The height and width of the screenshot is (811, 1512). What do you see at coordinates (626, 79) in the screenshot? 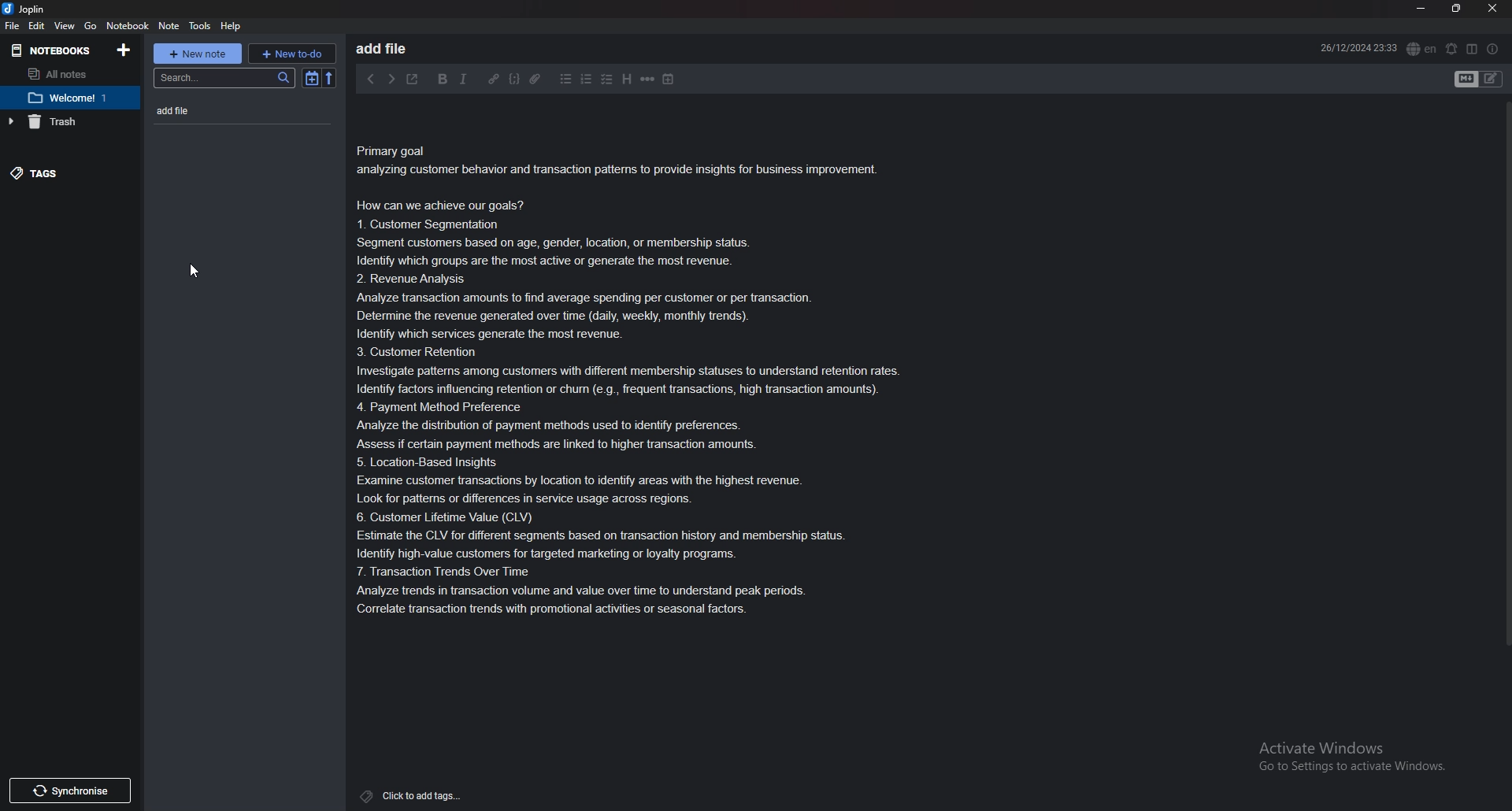
I see `Heading` at bounding box center [626, 79].